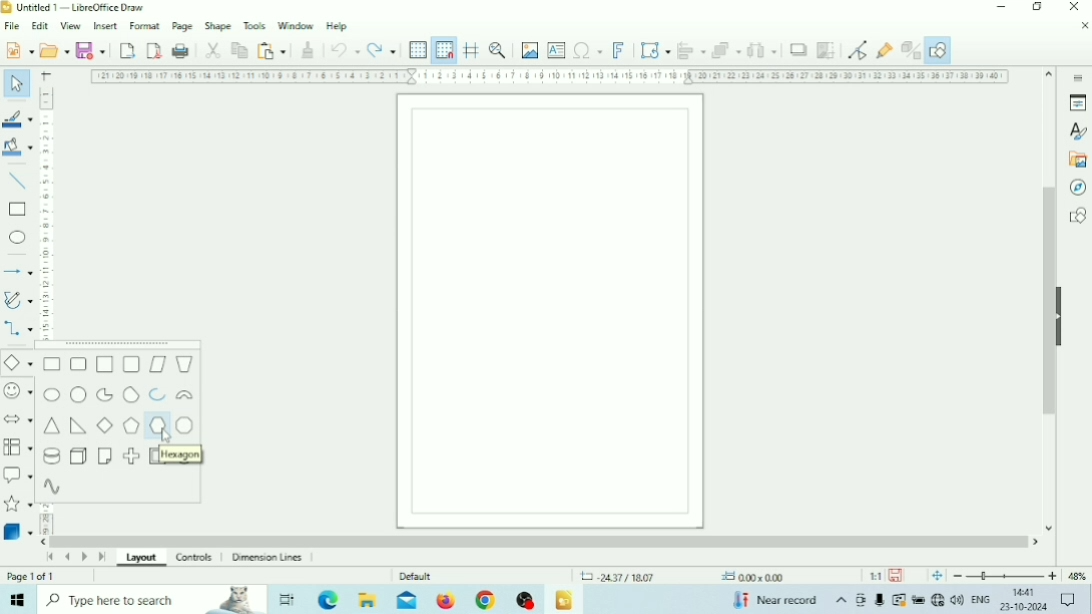  I want to click on Select, so click(17, 82).